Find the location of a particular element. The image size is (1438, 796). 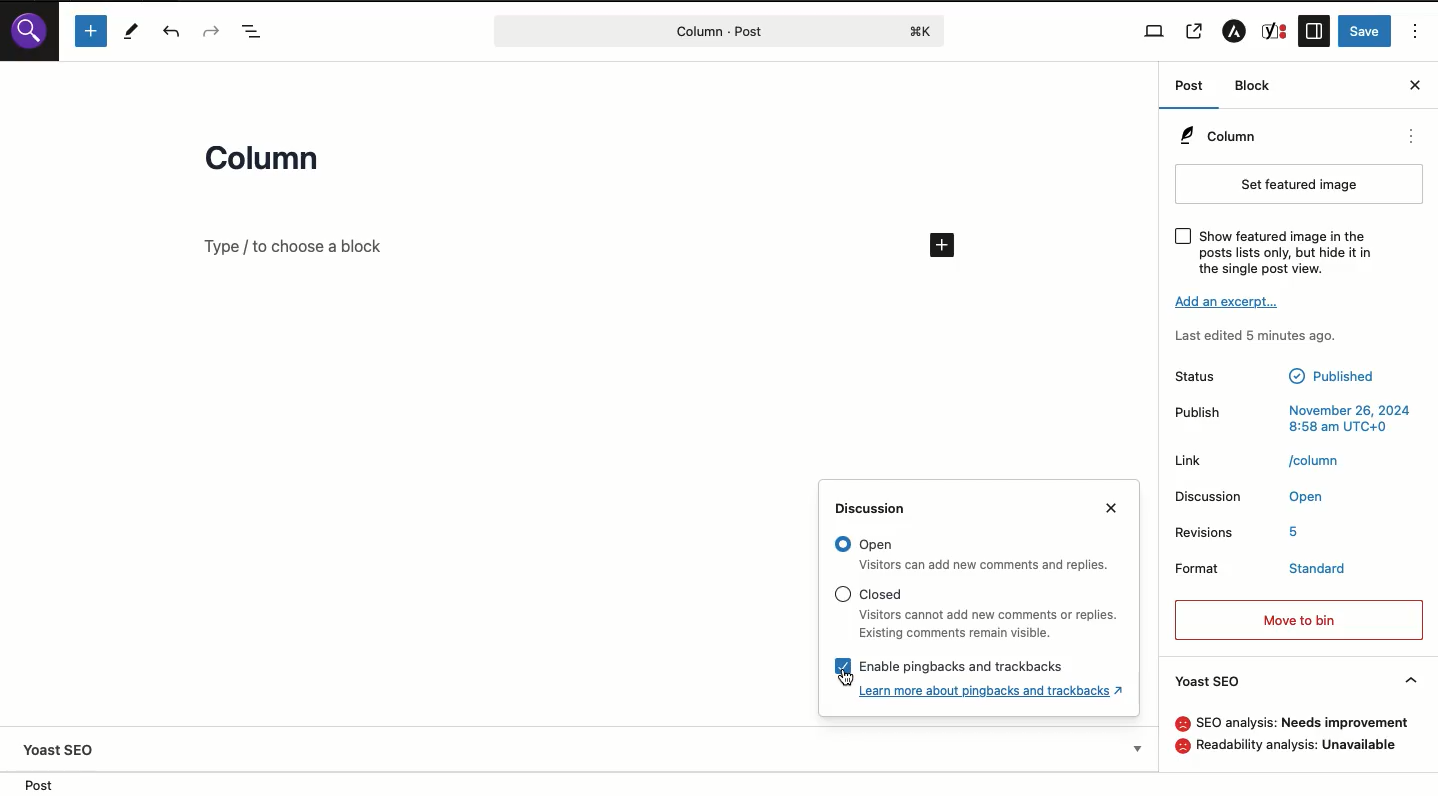

text is located at coordinates (1351, 418).